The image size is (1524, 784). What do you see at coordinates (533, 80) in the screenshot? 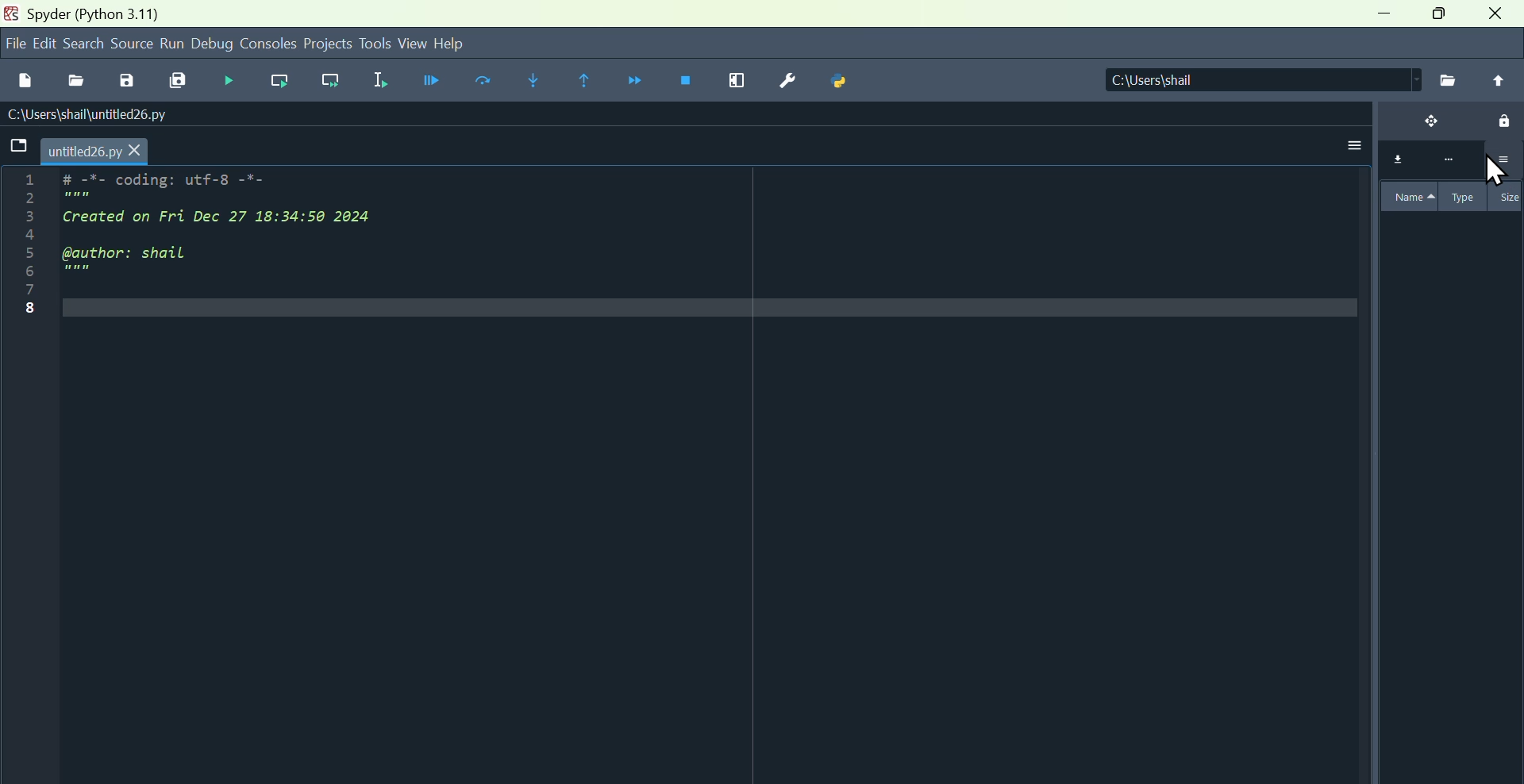
I see `Step into function` at bounding box center [533, 80].